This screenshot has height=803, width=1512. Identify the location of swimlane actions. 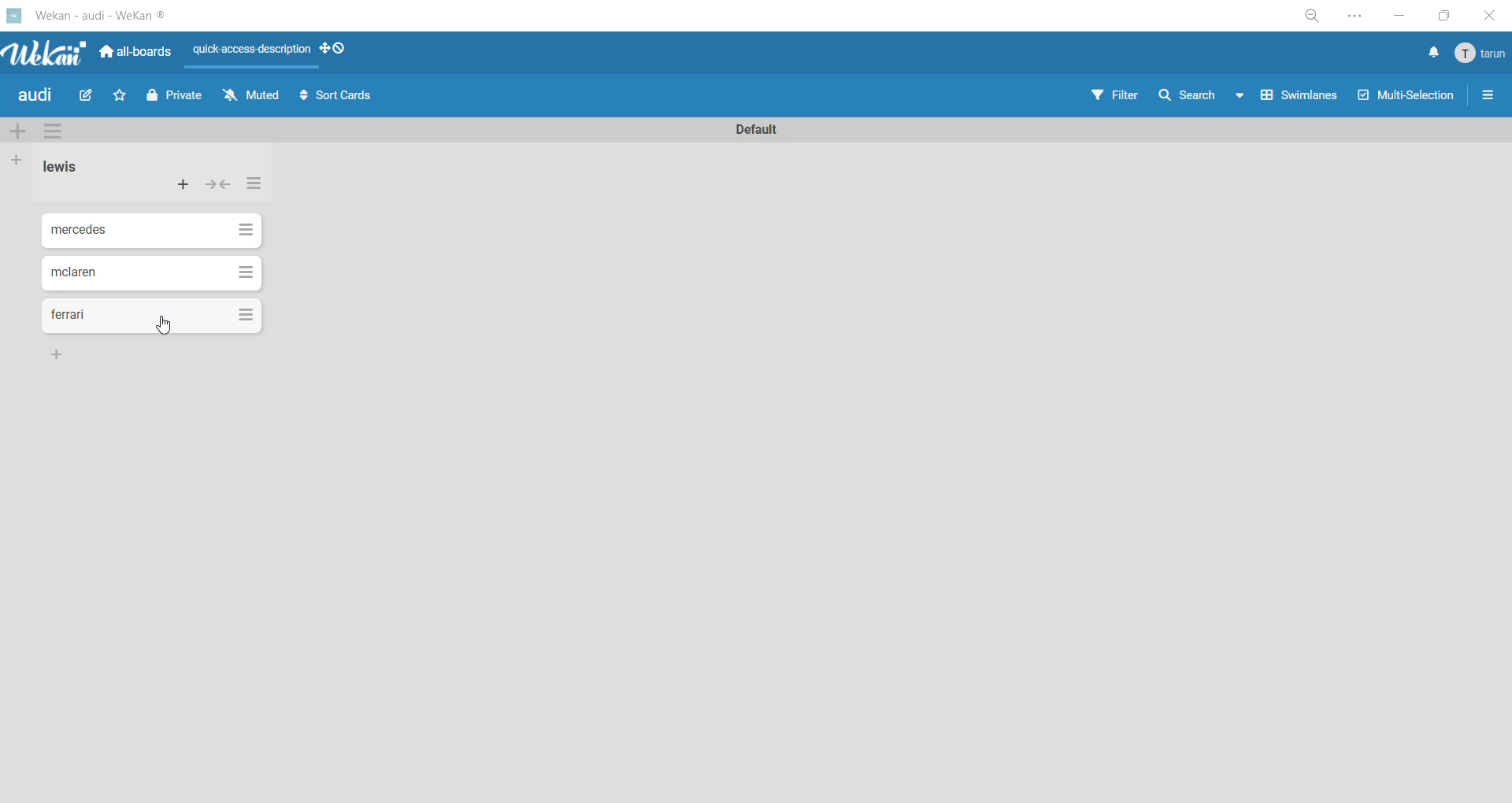
(57, 132).